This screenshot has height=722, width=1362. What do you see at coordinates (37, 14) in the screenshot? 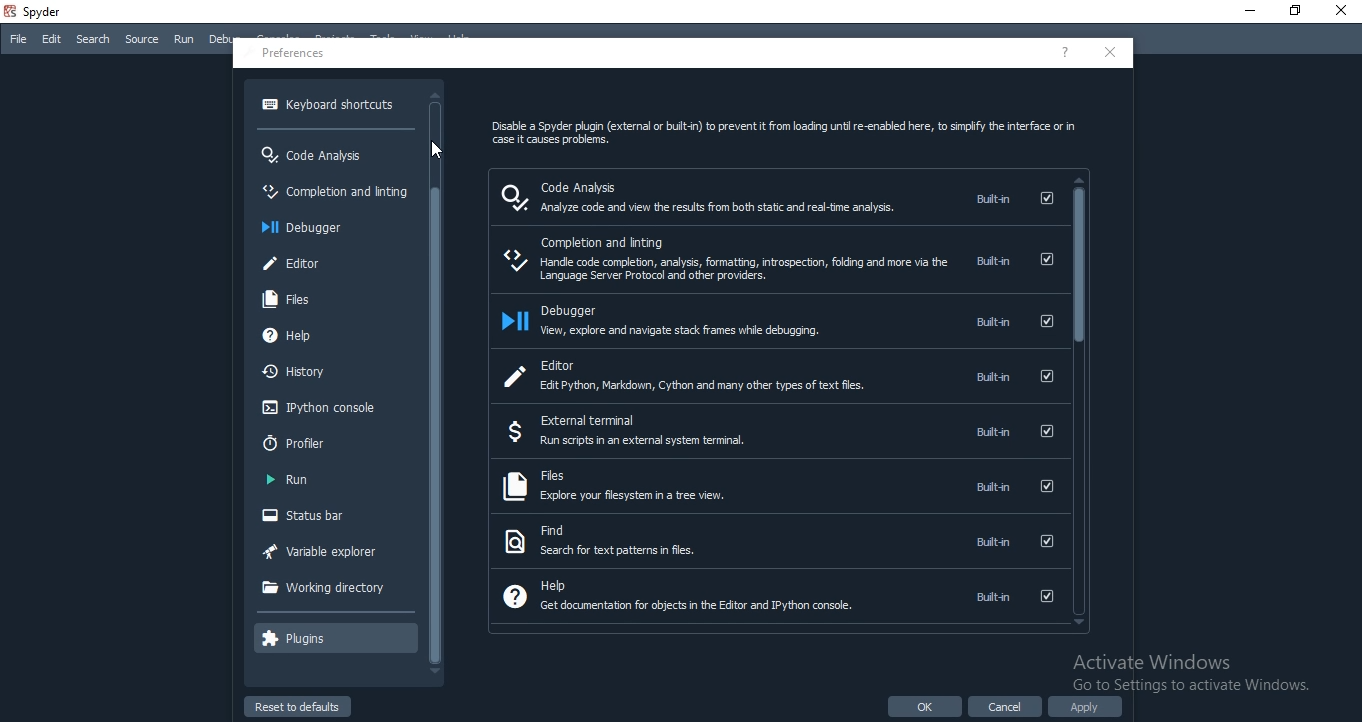
I see `spyder ` at bounding box center [37, 14].